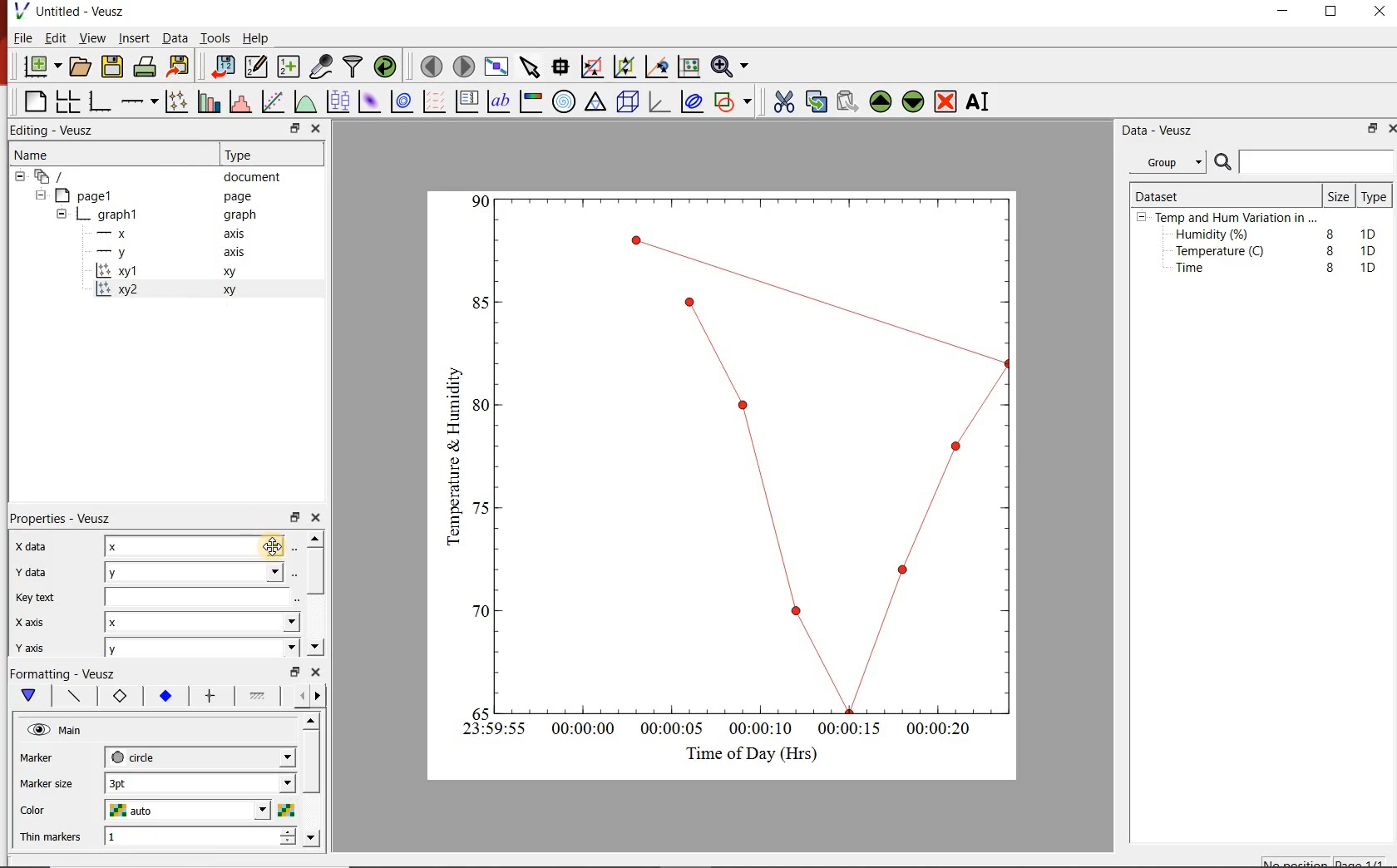 The image size is (1397, 868). What do you see at coordinates (686, 67) in the screenshot?
I see `click to reset graph axes` at bounding box center [686, 67].